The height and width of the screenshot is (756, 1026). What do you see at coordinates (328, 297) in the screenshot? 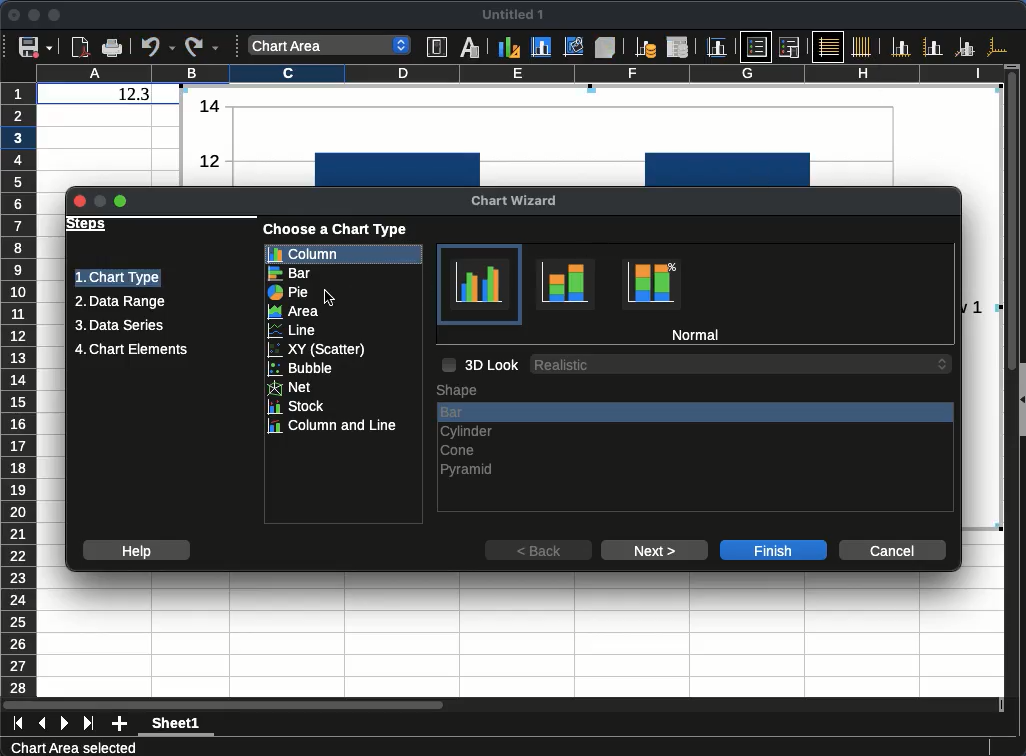
I see `Cursor` at bounding box center [328, 297].